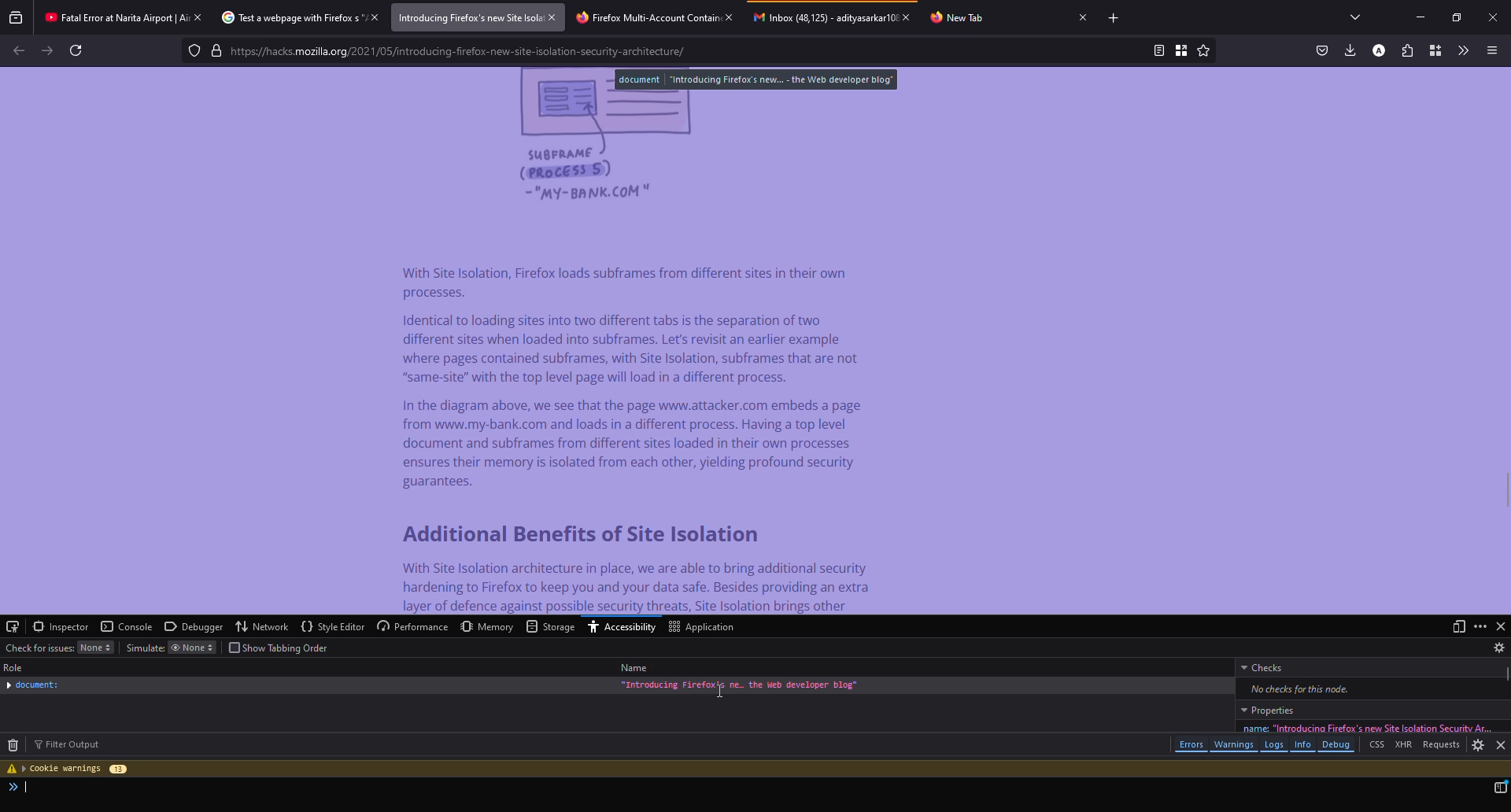 This screenshot has height=812, width=1511. I want to click on info, so click(742, 686).